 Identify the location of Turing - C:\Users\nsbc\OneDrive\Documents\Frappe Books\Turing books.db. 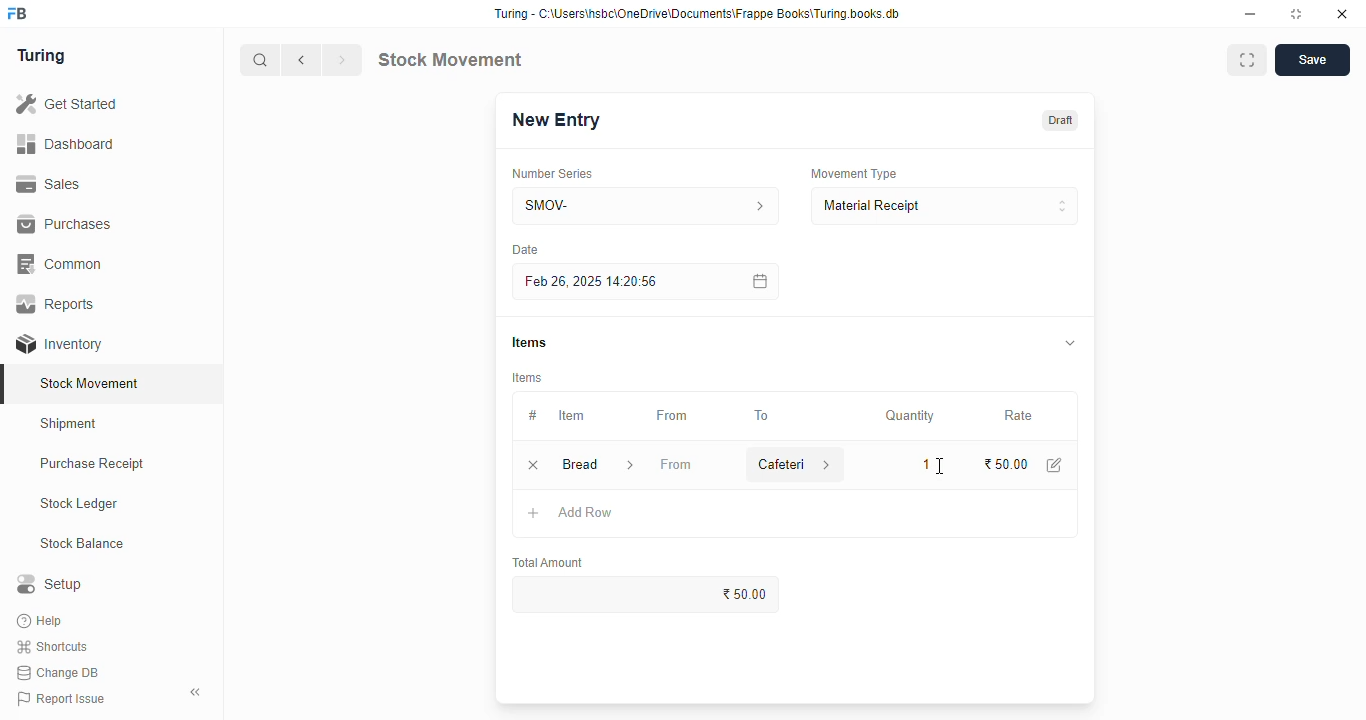
(698, 14).